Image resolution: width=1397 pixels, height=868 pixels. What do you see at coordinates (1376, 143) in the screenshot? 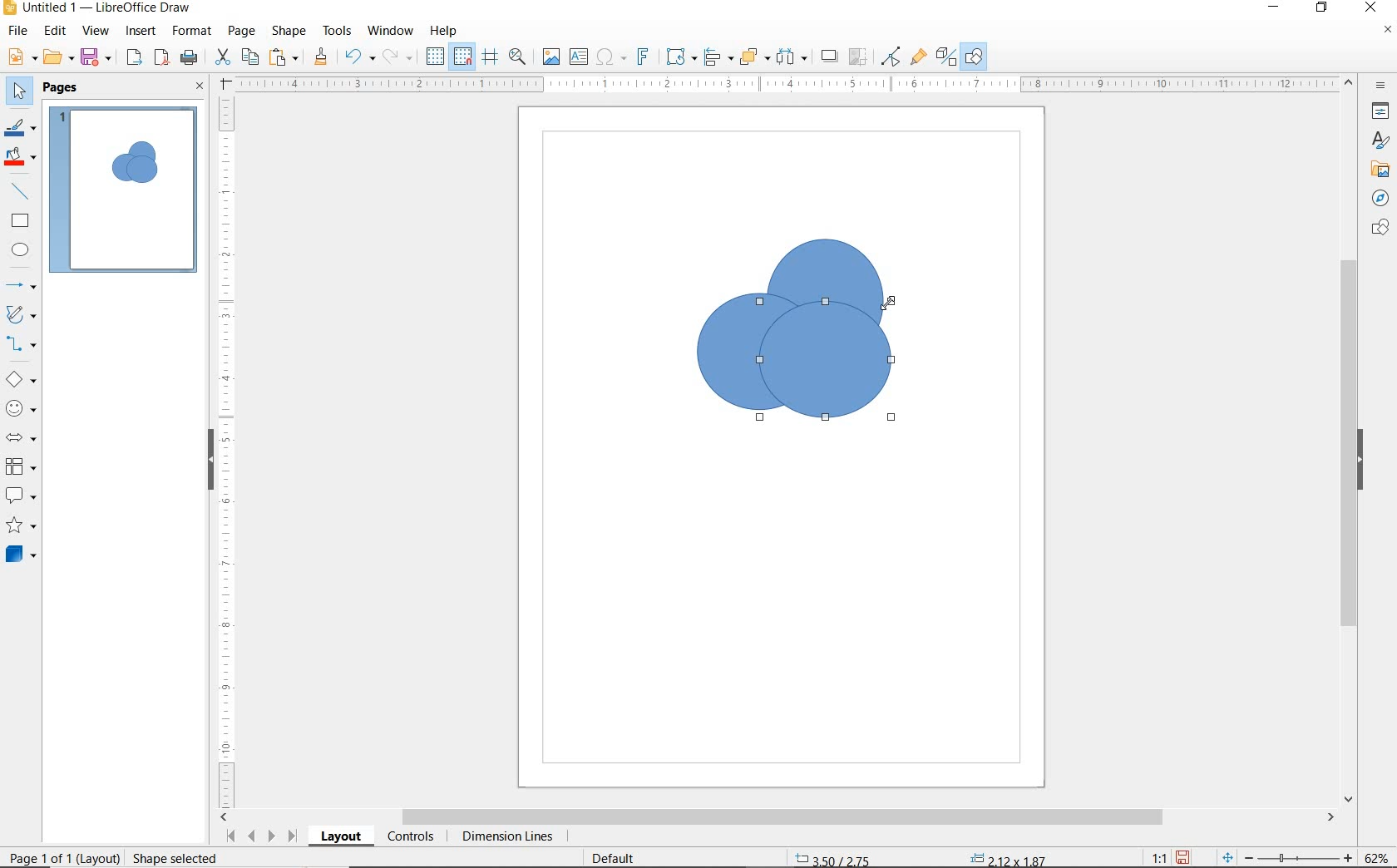
I see `STYLES` at bounding box center [1376, 143].